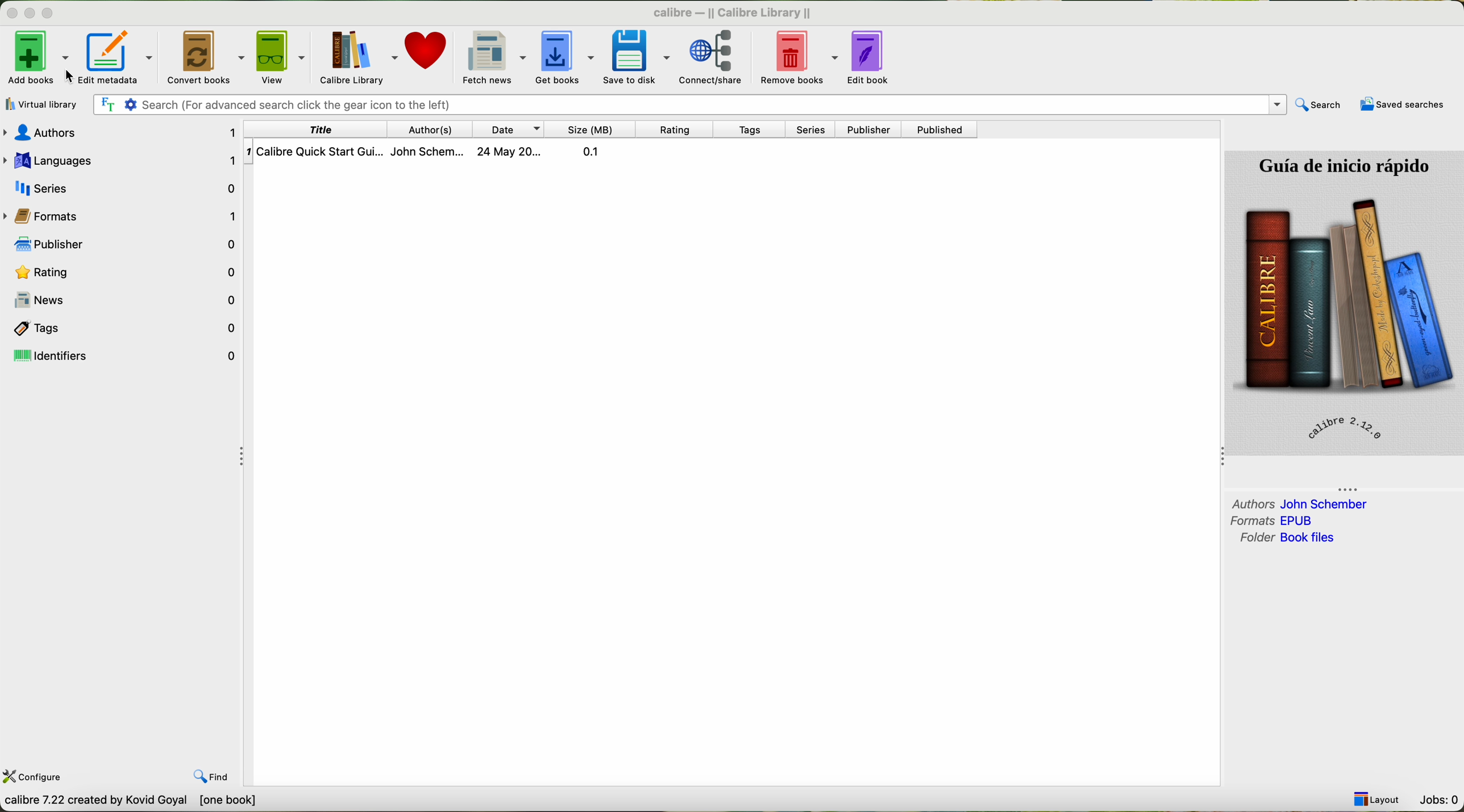 The image size is (1464, 812). I want to click on folder, so click(1286, 539).